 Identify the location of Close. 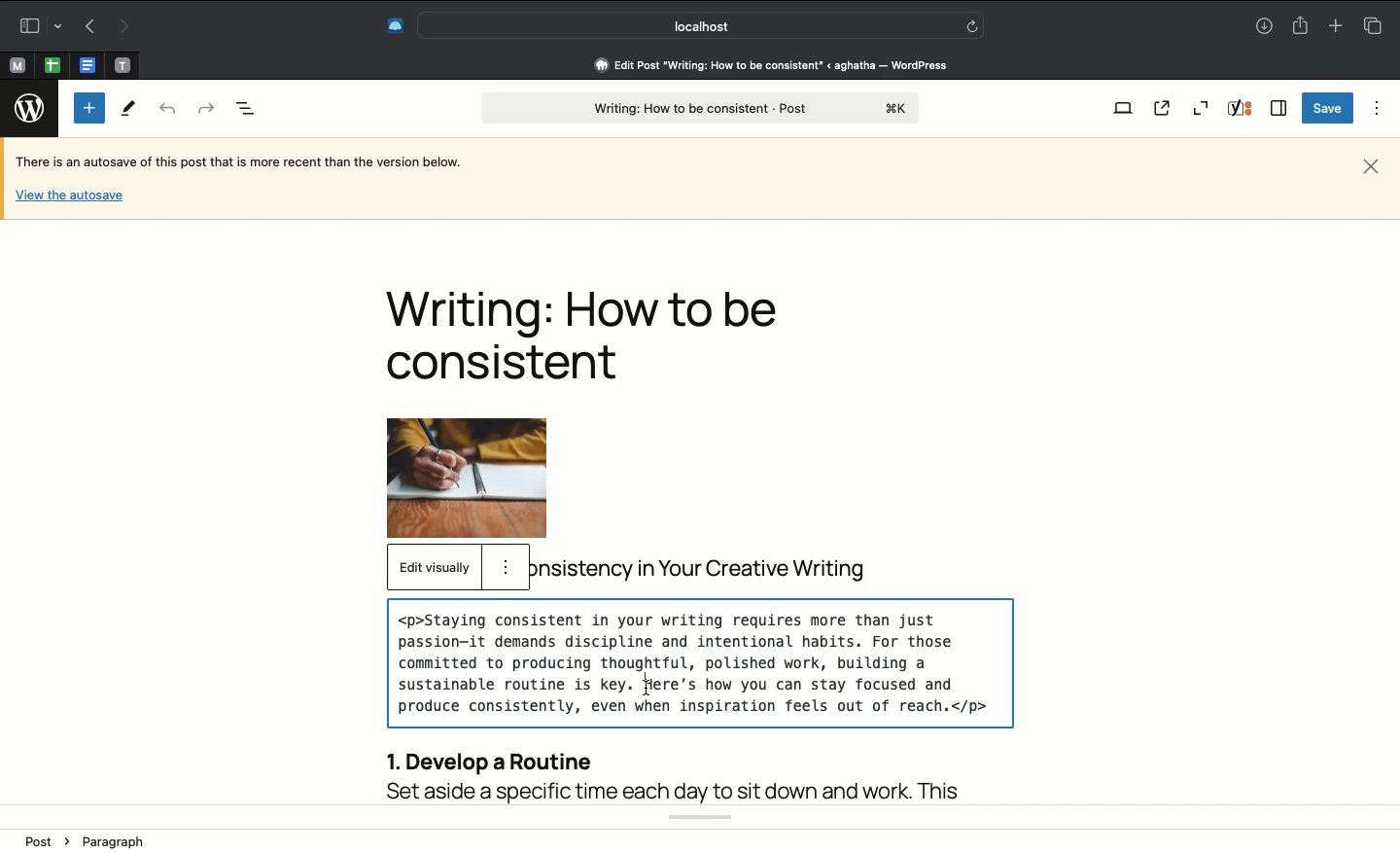
(1371, 164).